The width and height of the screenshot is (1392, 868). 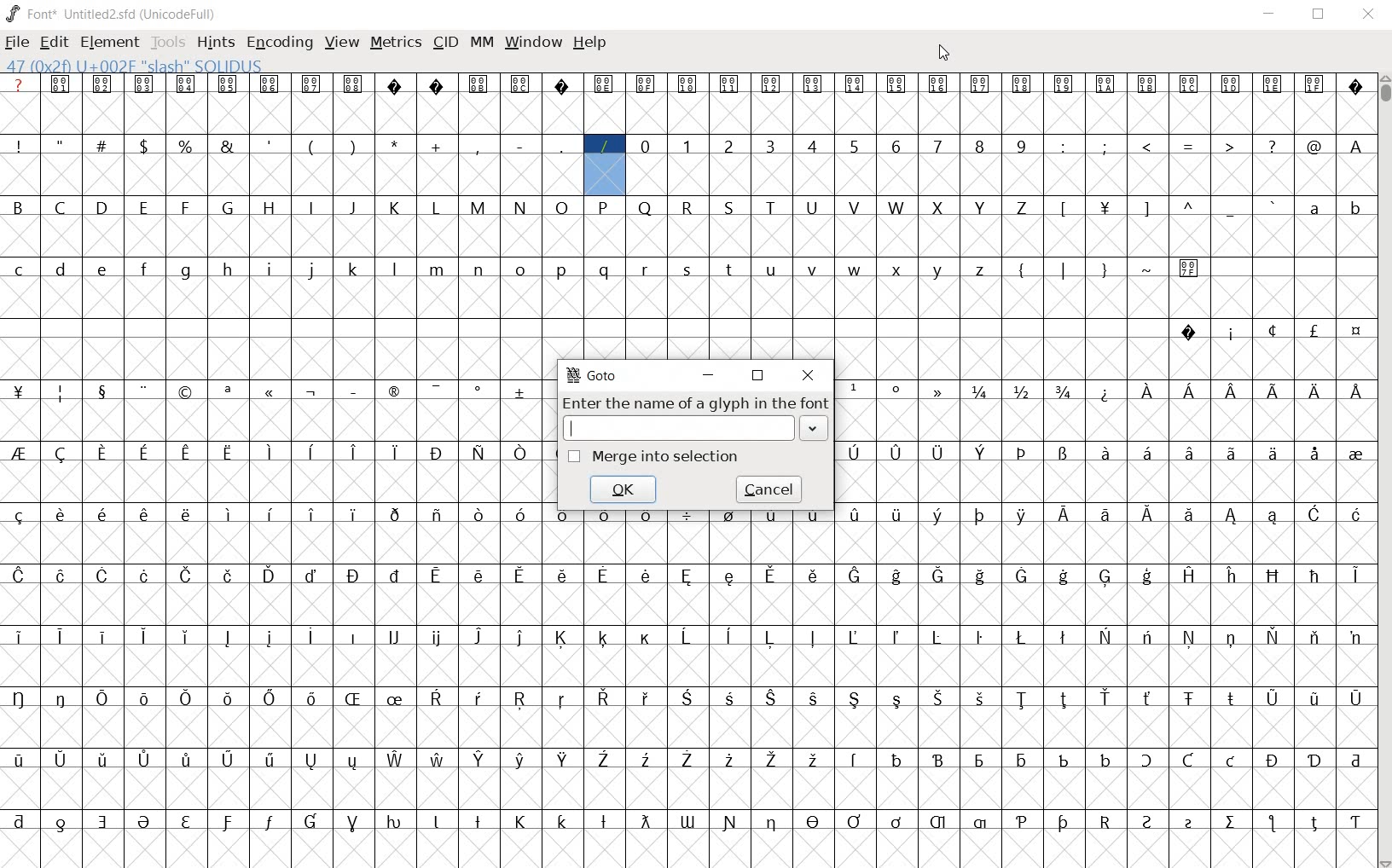 I want to click on glyph, so click(x=732, y=271).